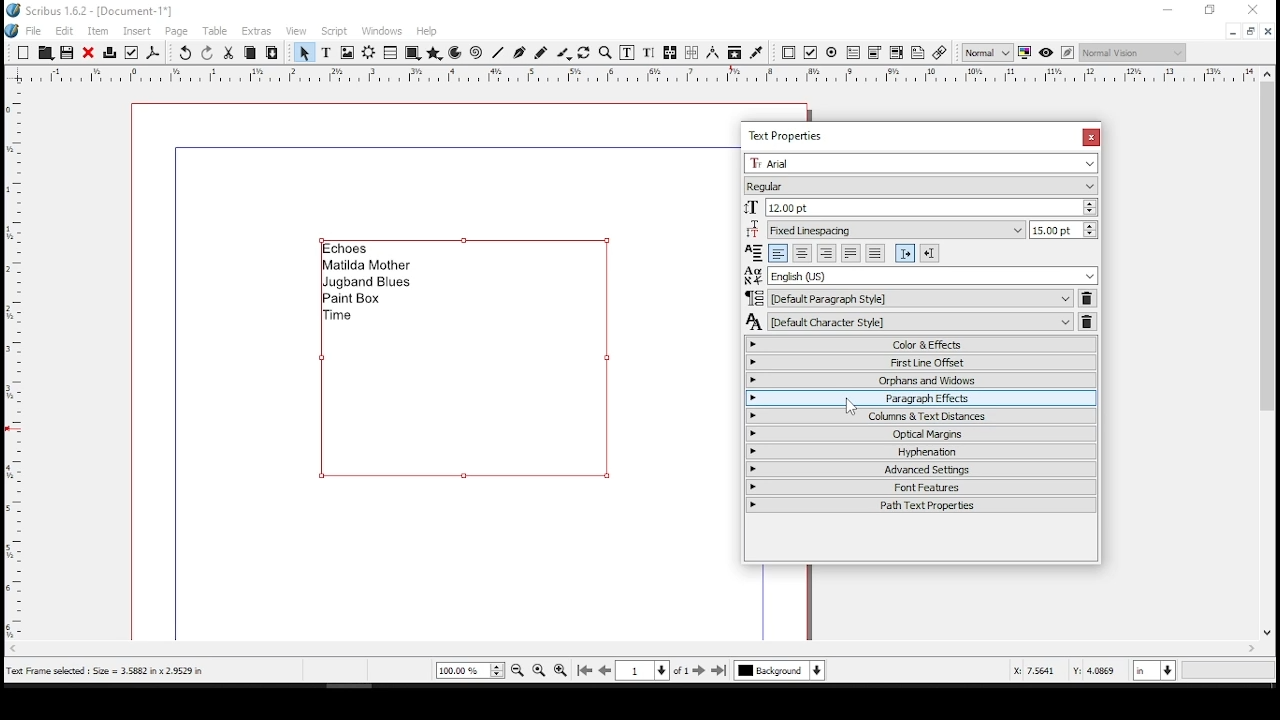 The height and width of the screenshot is (720, 1280). Describe the element at coordinates (607, 52) in the screenshot. I see `zoom in or out` at that location.